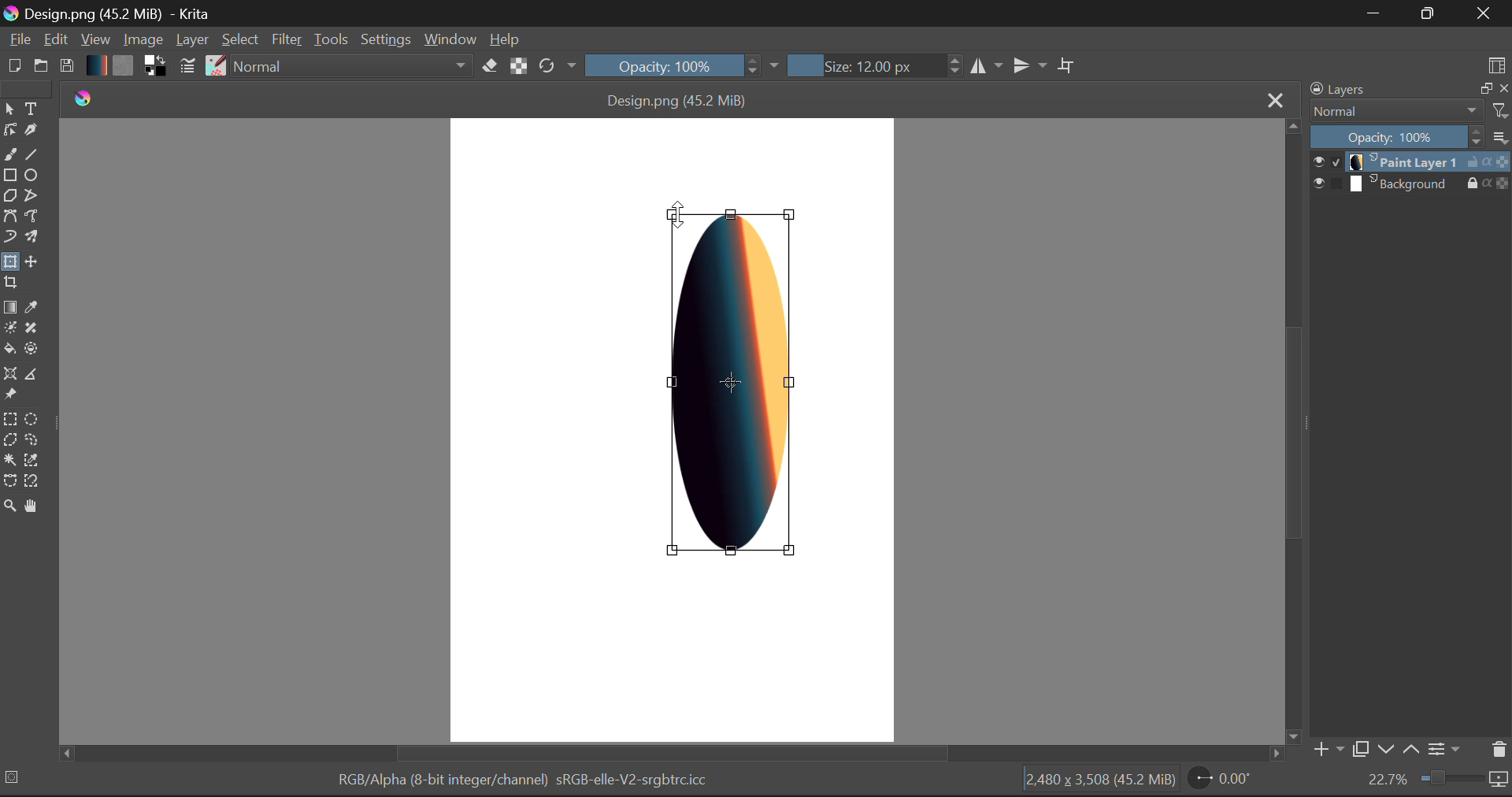  I want to click on Crop, so click(1067, 63).